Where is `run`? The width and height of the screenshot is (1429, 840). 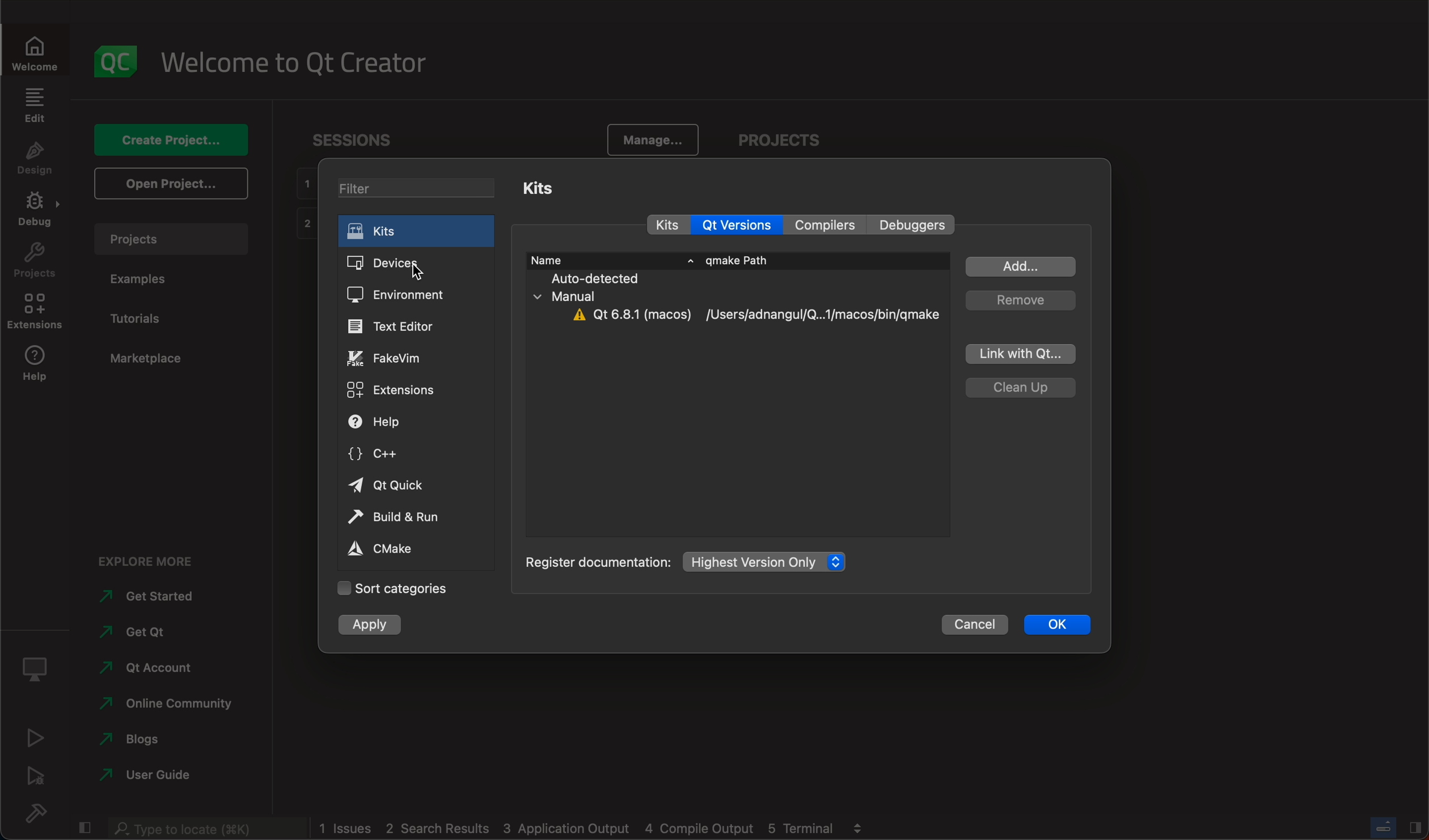 run is located at coordinates (34, 740).